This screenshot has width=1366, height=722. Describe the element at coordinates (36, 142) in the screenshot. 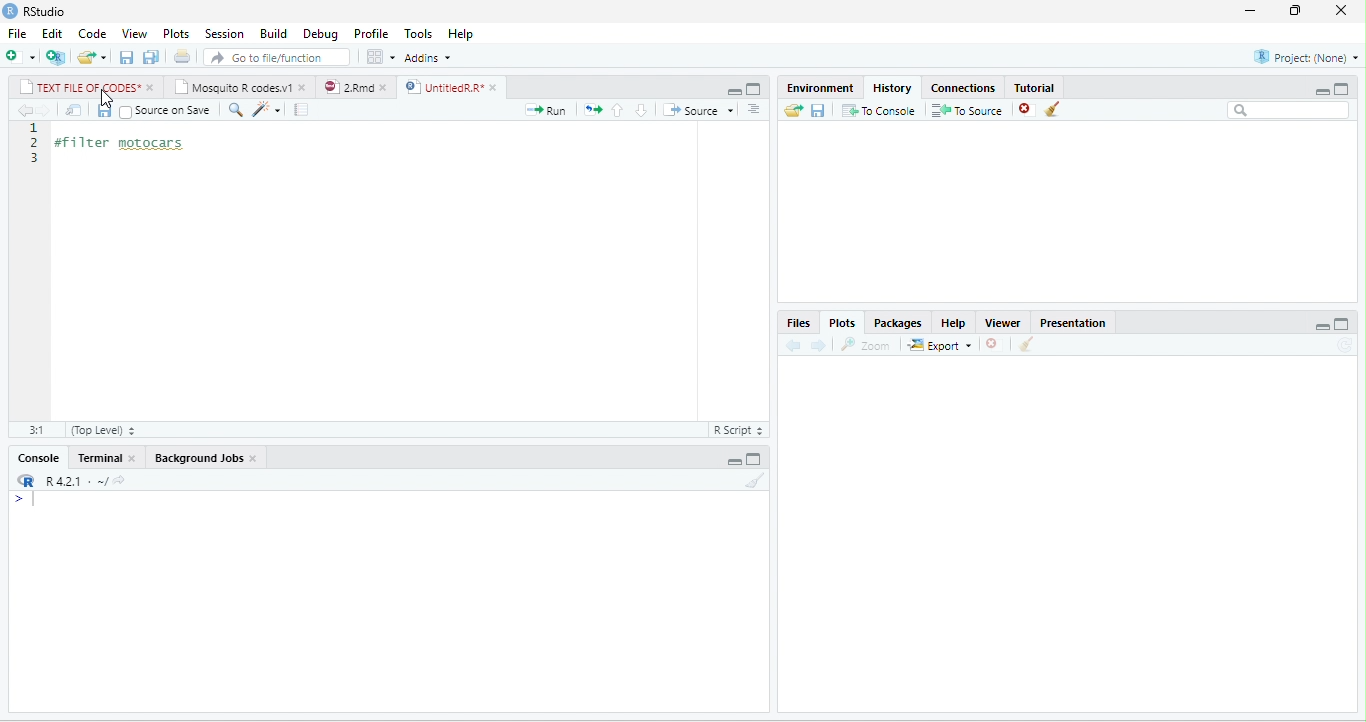

I see `2` at that location.